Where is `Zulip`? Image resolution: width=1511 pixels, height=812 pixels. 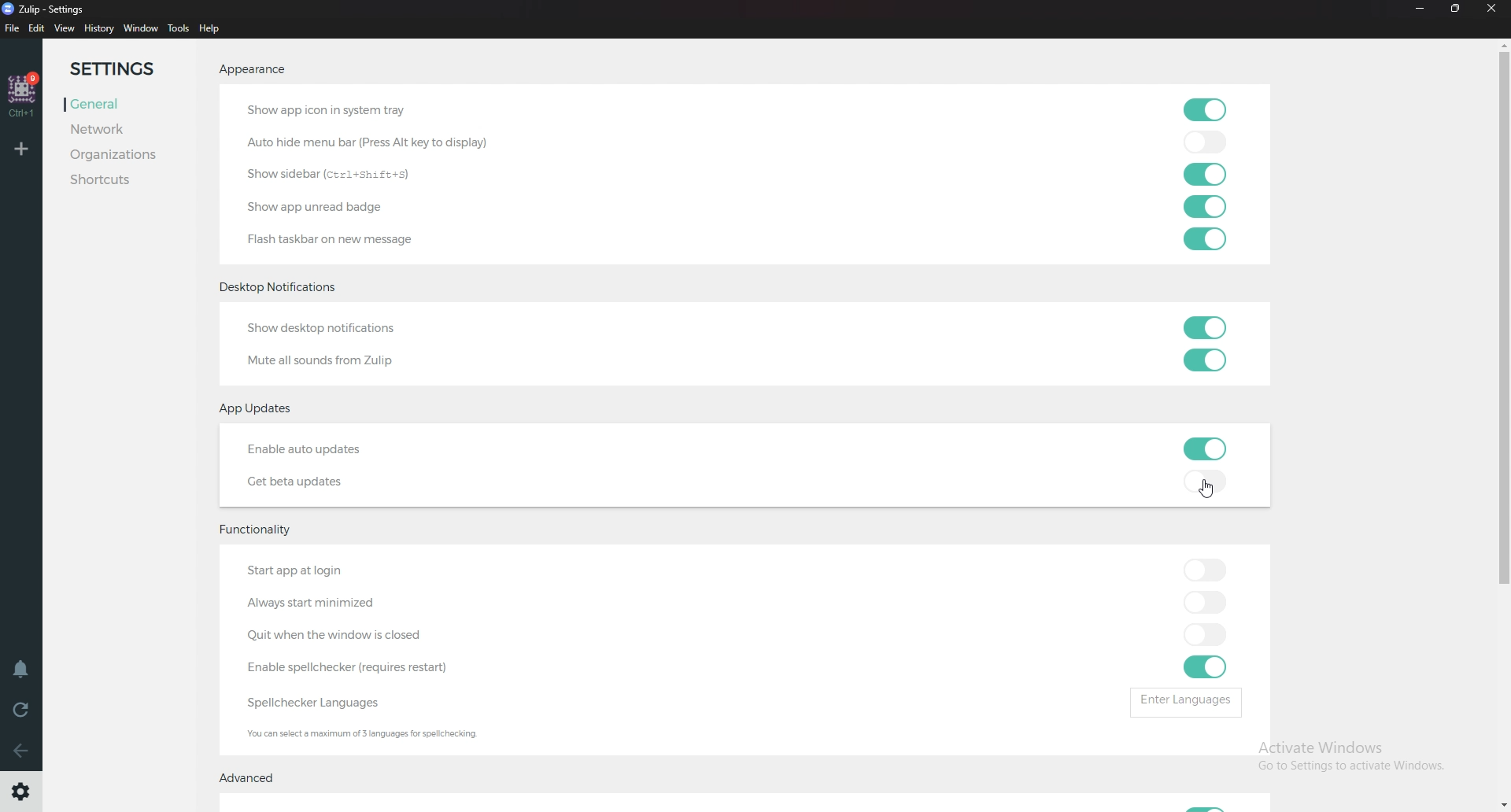
Zulip is located at coordinates (51, 9).